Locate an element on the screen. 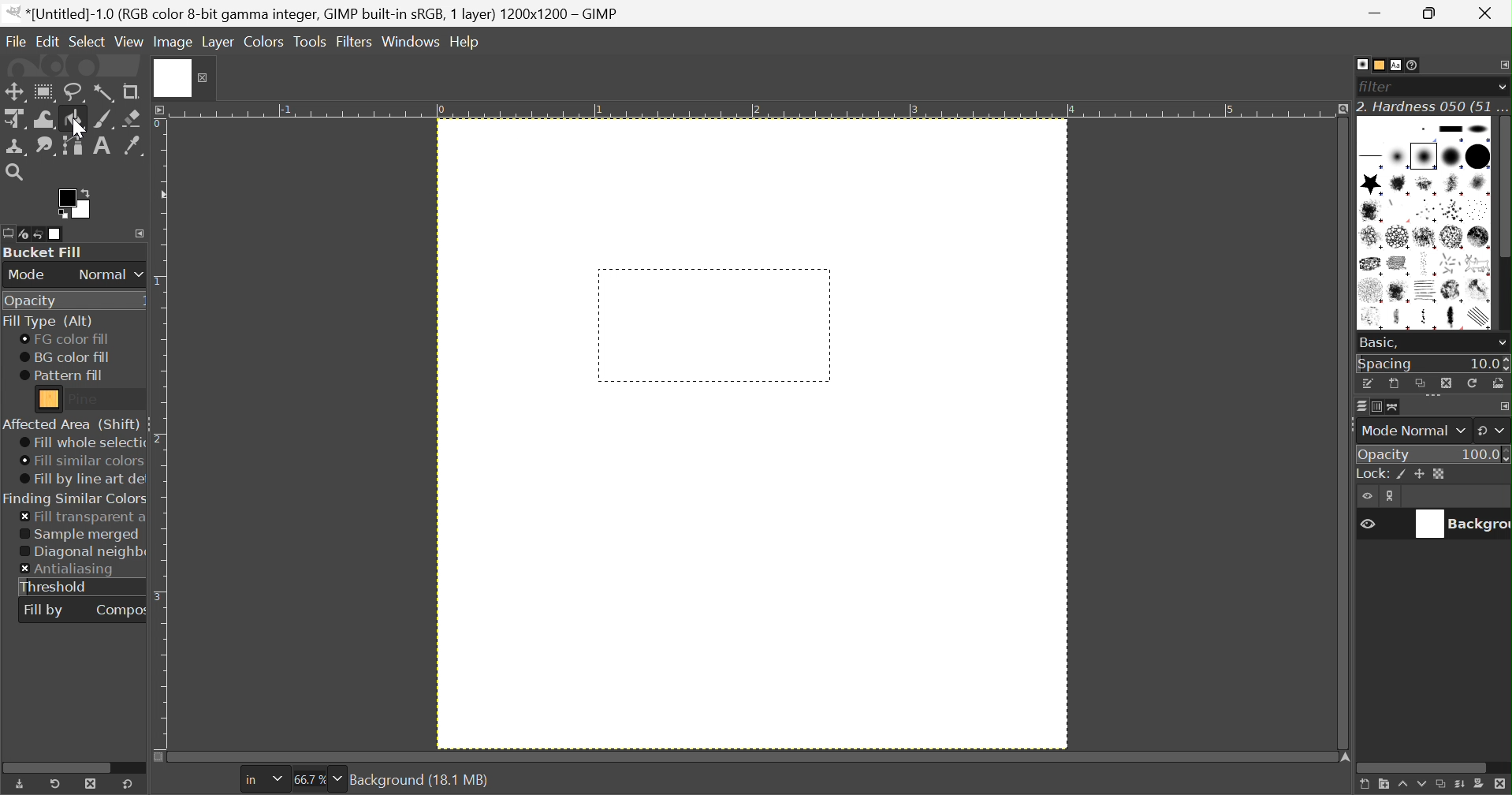 This screenshot has width=1512, height=795. 4 is located at coordinates (1071, 110).